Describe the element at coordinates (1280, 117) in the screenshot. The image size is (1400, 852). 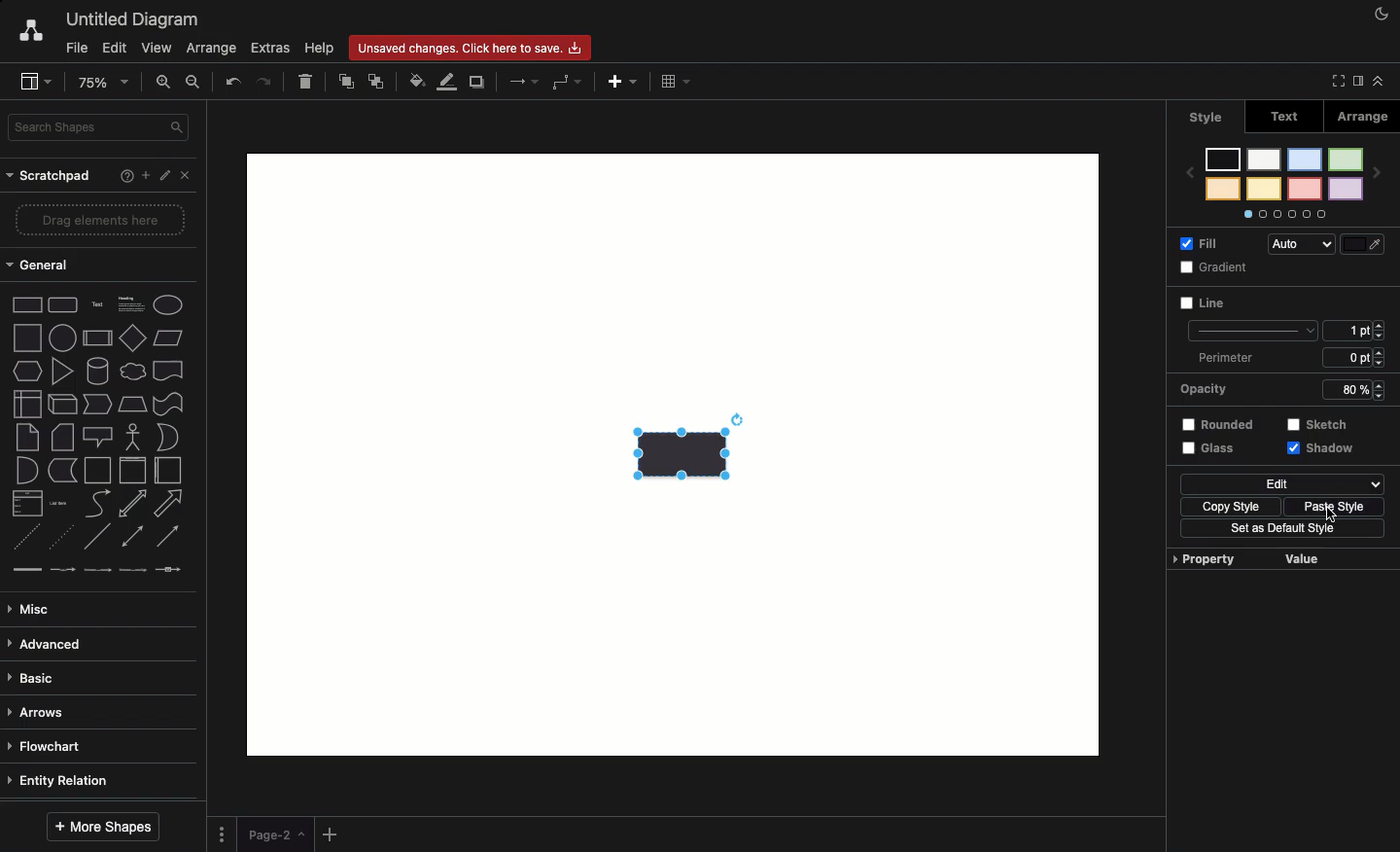
I see `Text` at that location.